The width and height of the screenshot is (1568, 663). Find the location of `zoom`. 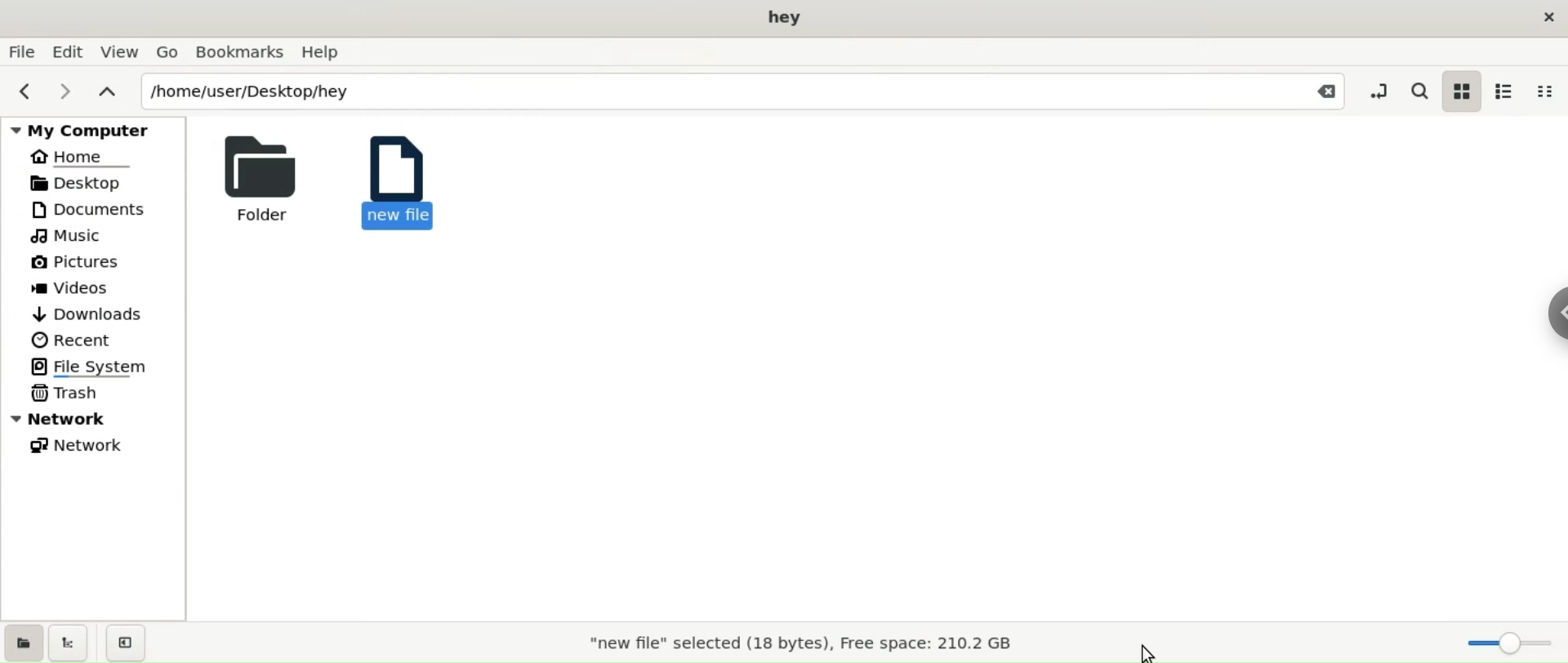

zoom is located at coordinates (1513, 642).